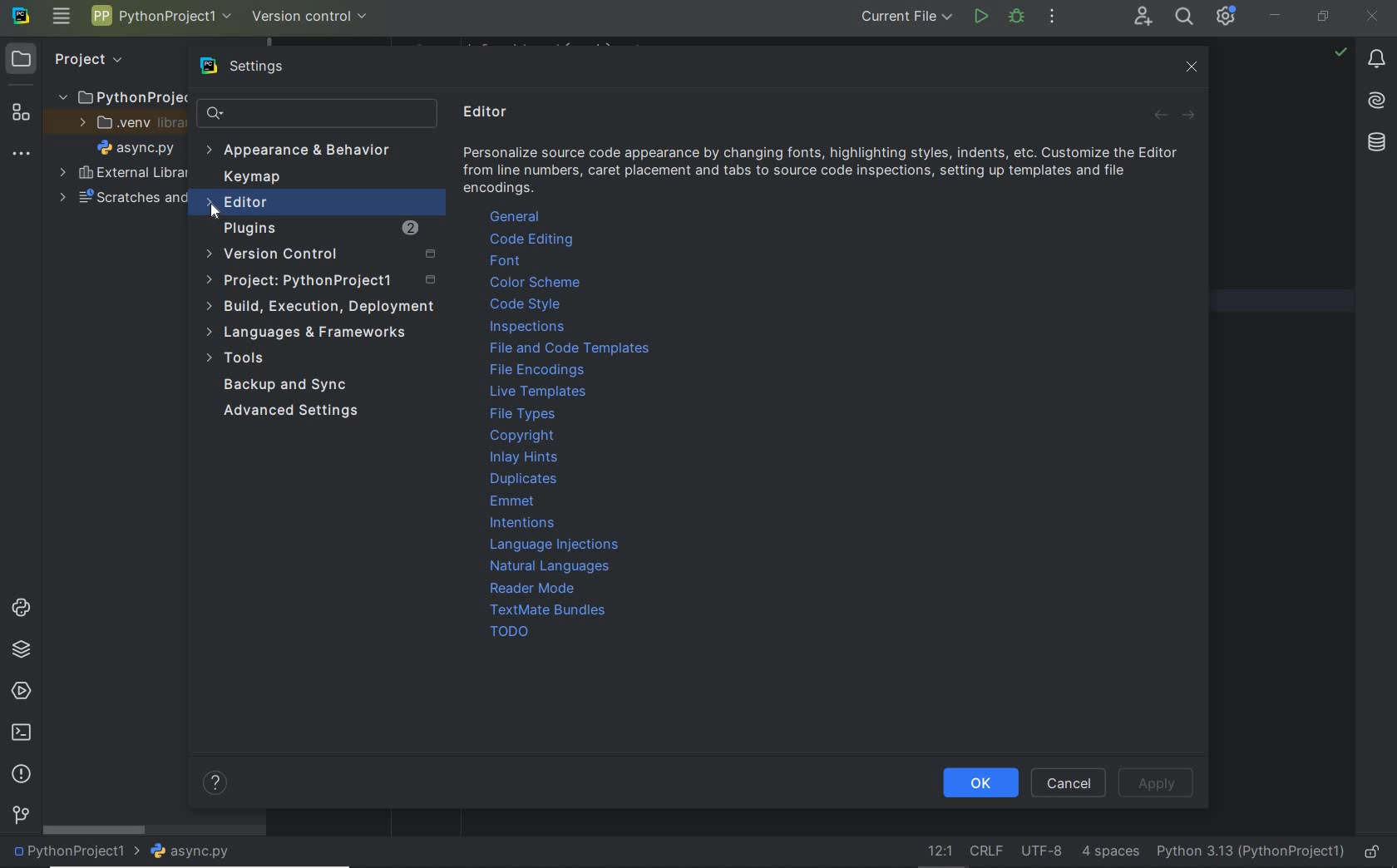 This screenshot has width=1397, height=868. What do you see at coordinates (287, 384) in the screenshot?
I see `Backup and Sync` at bounding box center [287, 384].